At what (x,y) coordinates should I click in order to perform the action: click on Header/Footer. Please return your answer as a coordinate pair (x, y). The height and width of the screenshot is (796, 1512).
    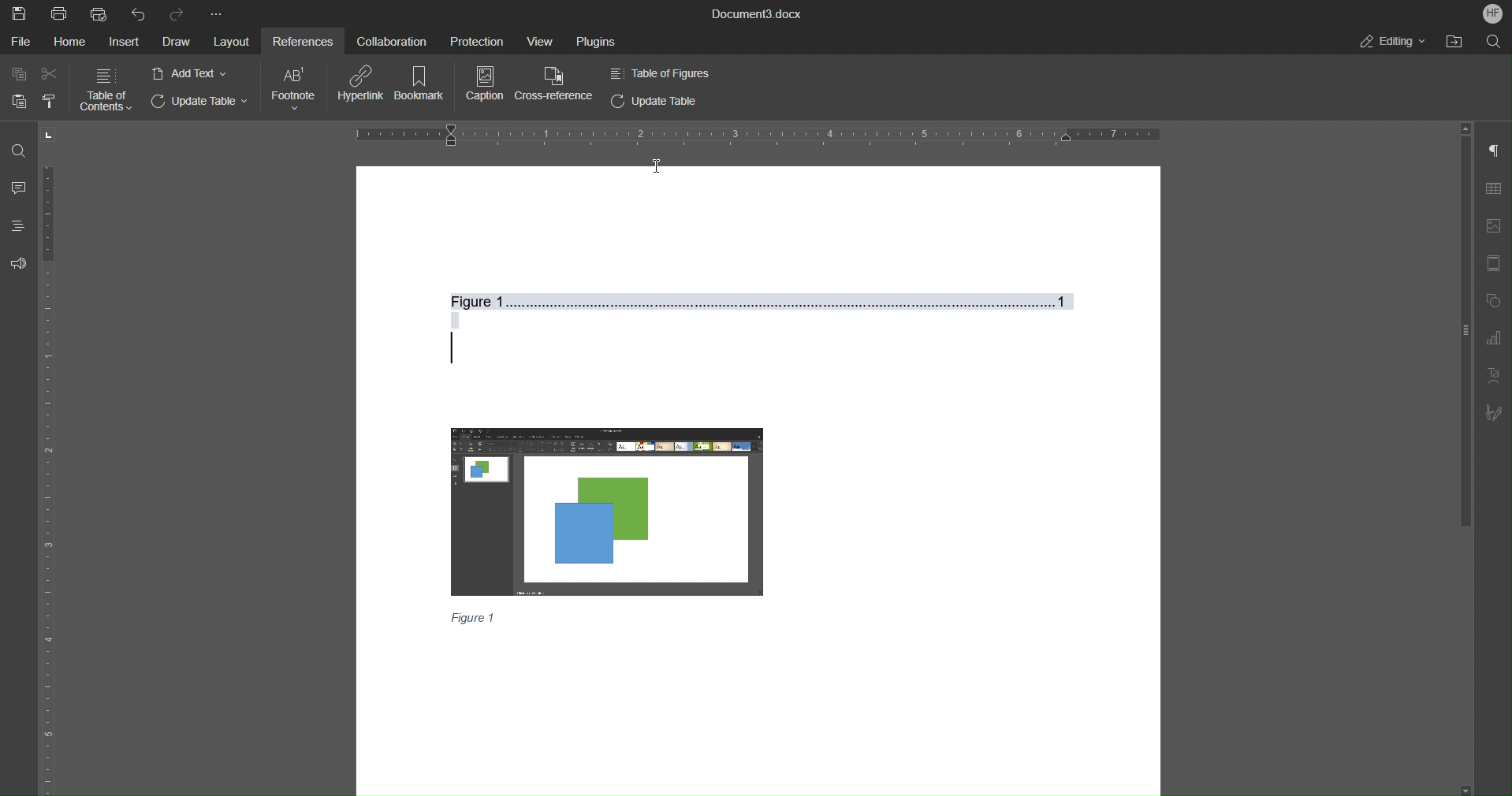
    Looking at the image, I should click on (1496, 265).